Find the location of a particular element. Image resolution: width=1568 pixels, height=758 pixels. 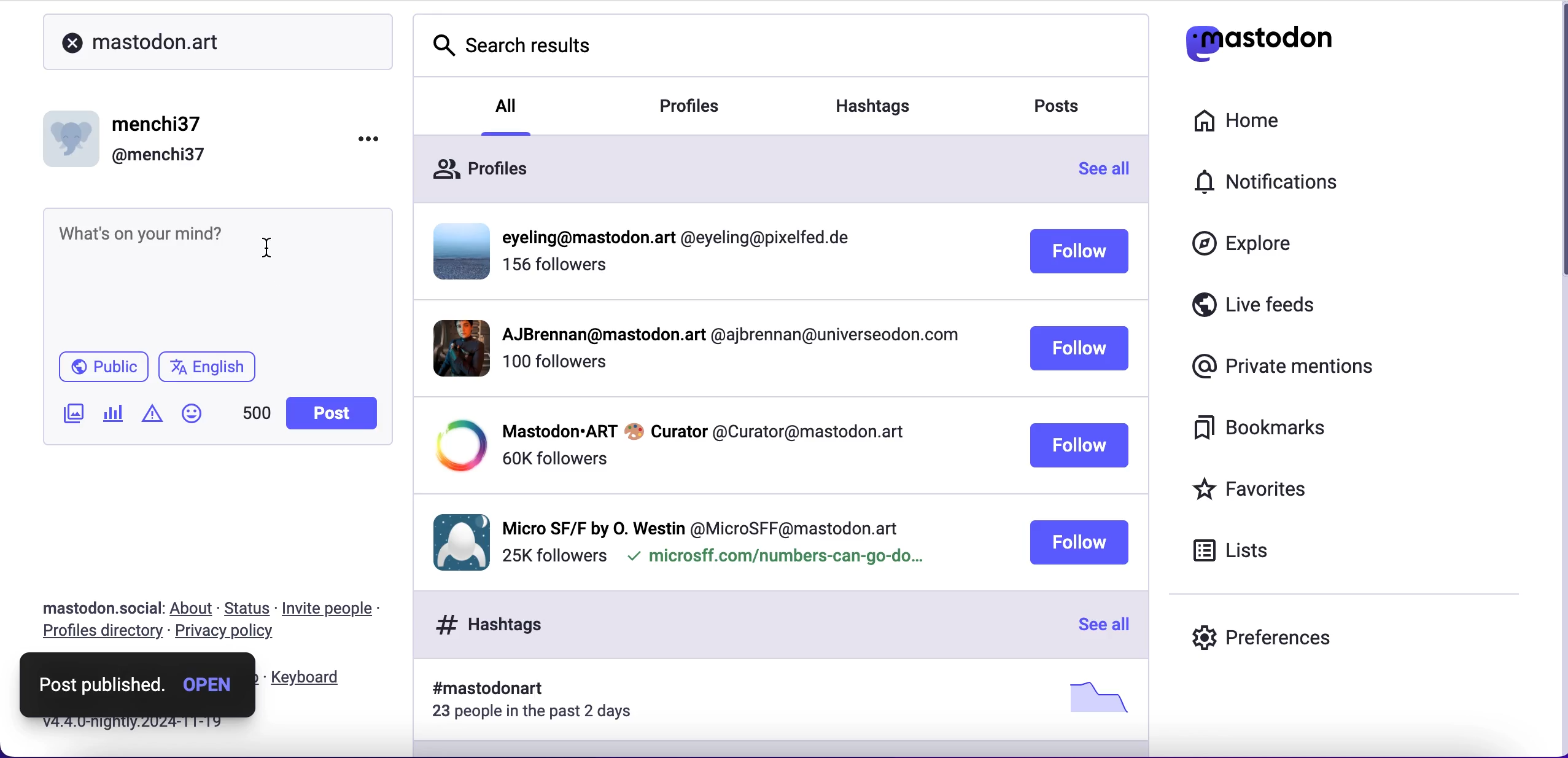

post is located at coordinates (330, 413).